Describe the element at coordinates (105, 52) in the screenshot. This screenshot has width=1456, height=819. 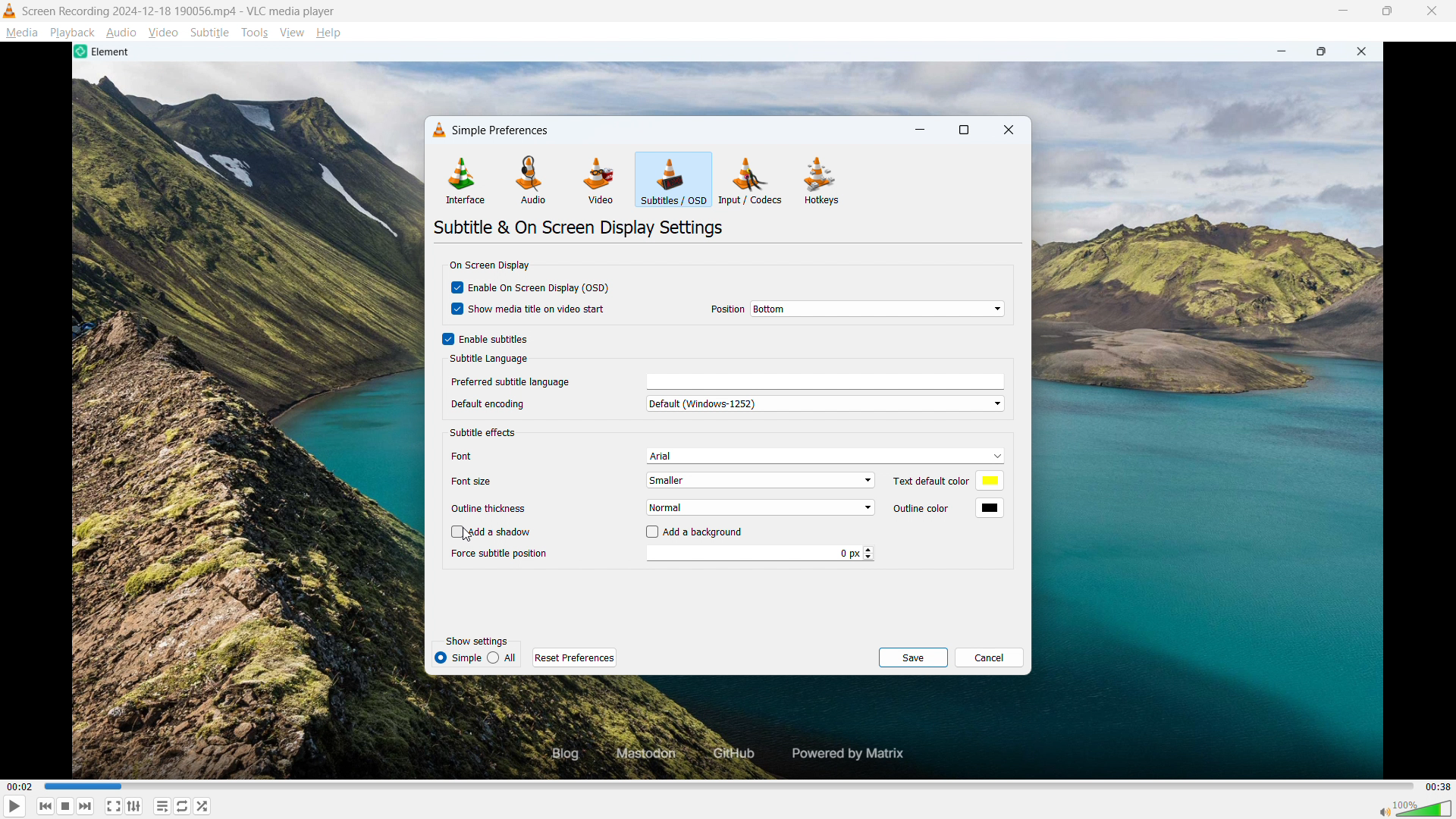
I see `Element` at that location.